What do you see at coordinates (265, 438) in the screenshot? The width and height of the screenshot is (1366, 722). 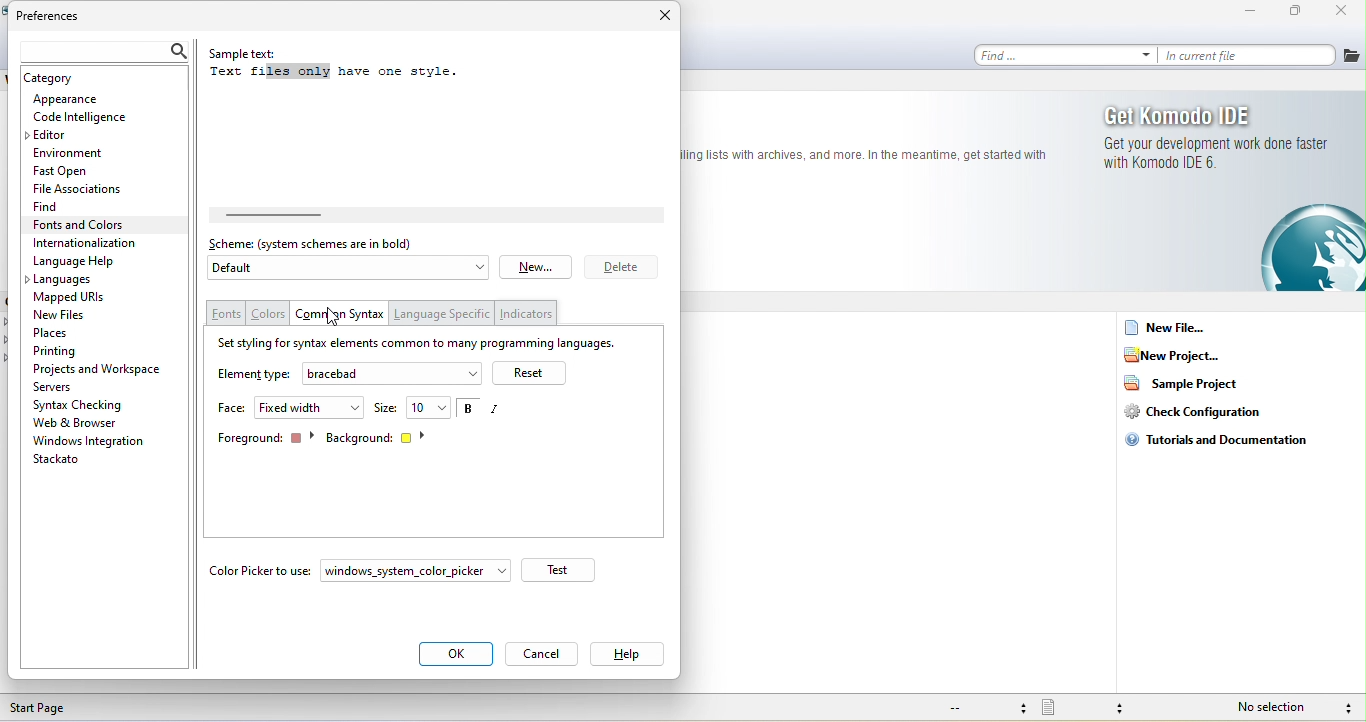 I see `foreground` at bounding box center [265, 438].